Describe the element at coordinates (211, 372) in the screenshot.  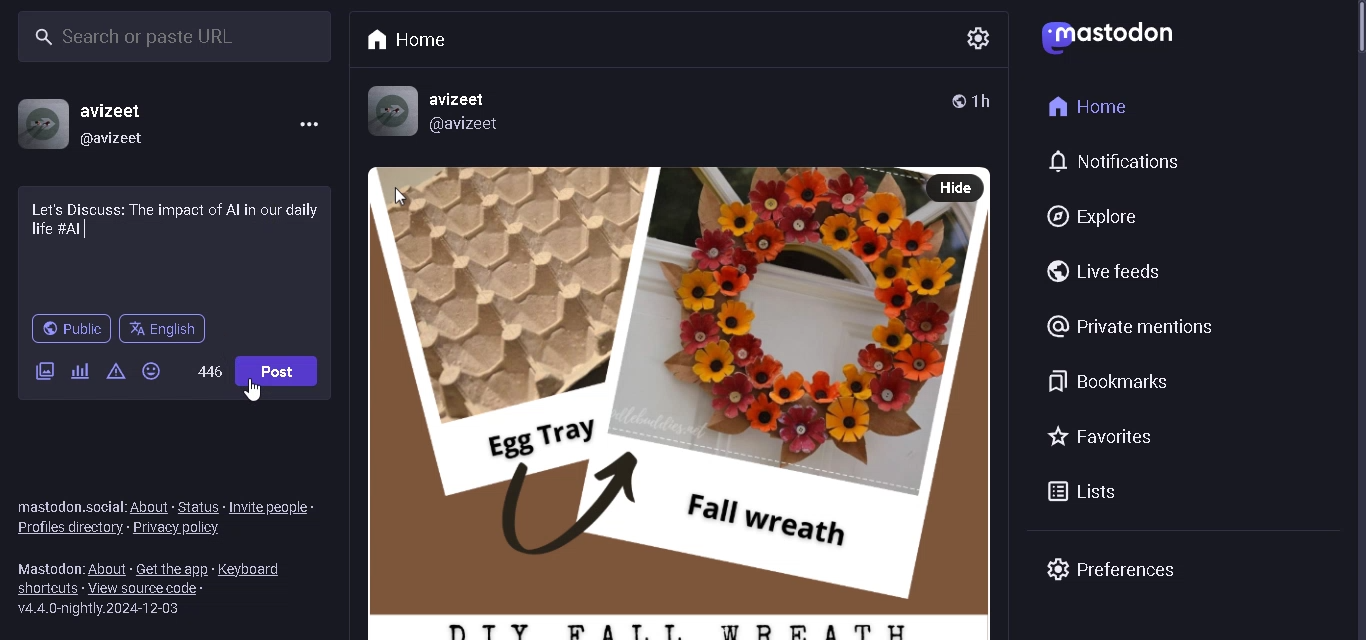
I see `WORD LIMIT` at that location.